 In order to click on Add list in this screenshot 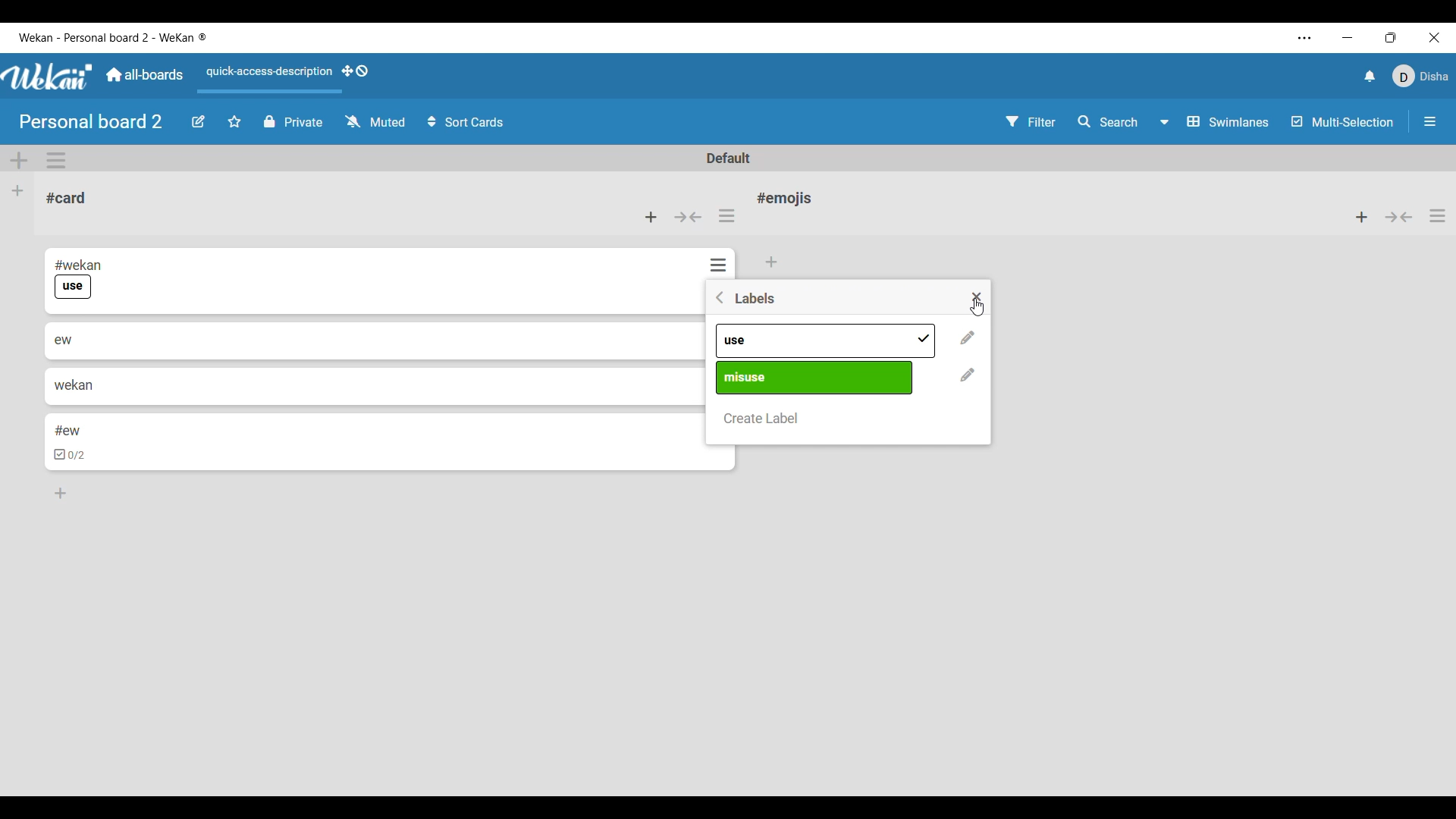, I will do `click(17, 191)`.